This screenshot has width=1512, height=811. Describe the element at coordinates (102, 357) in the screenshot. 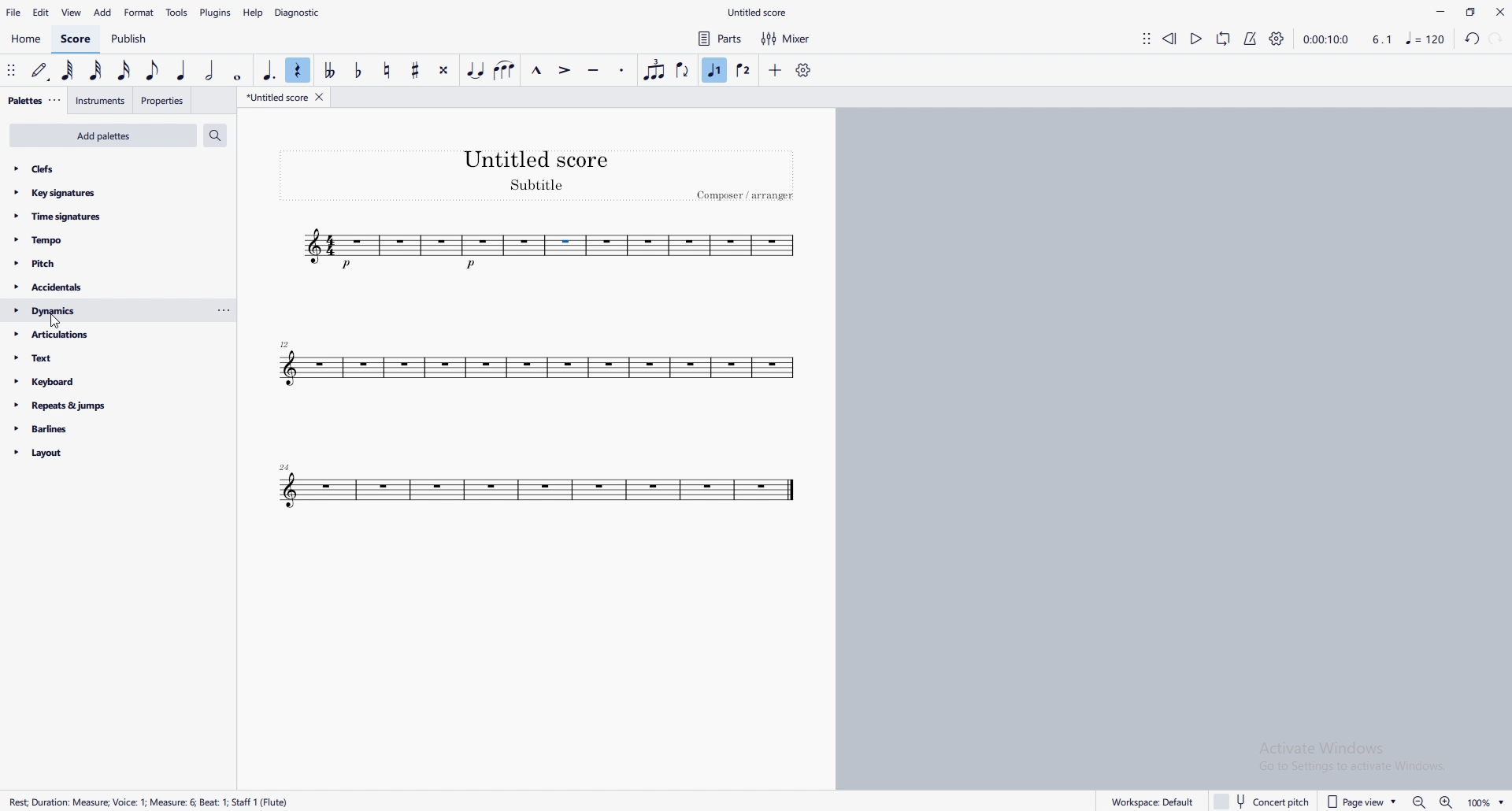

I see `text` at that location.